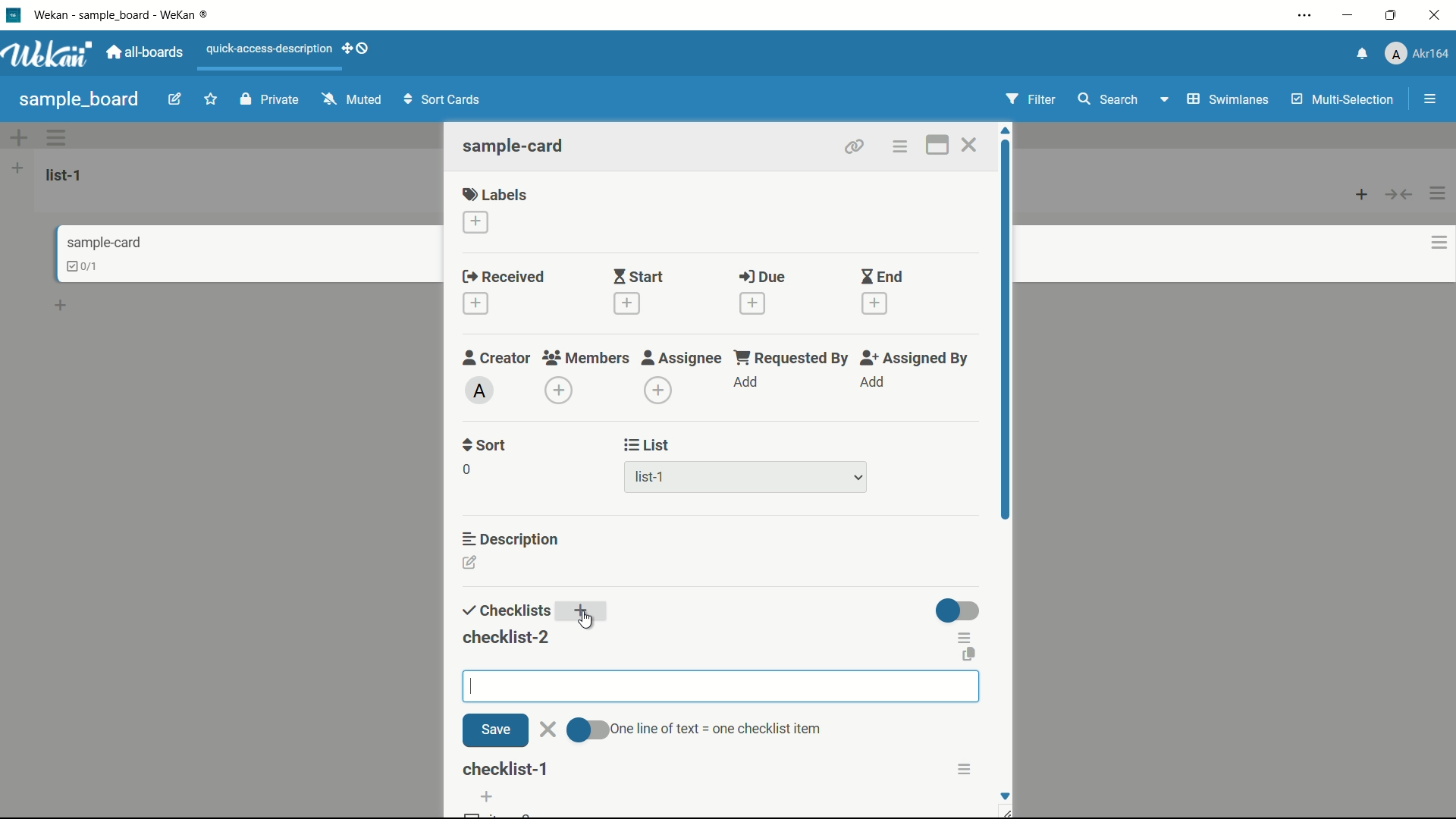 The image size is (1456, 819). Describe the element at coordinates (1417, 55) in the screenshot. I see `profile` at that location.